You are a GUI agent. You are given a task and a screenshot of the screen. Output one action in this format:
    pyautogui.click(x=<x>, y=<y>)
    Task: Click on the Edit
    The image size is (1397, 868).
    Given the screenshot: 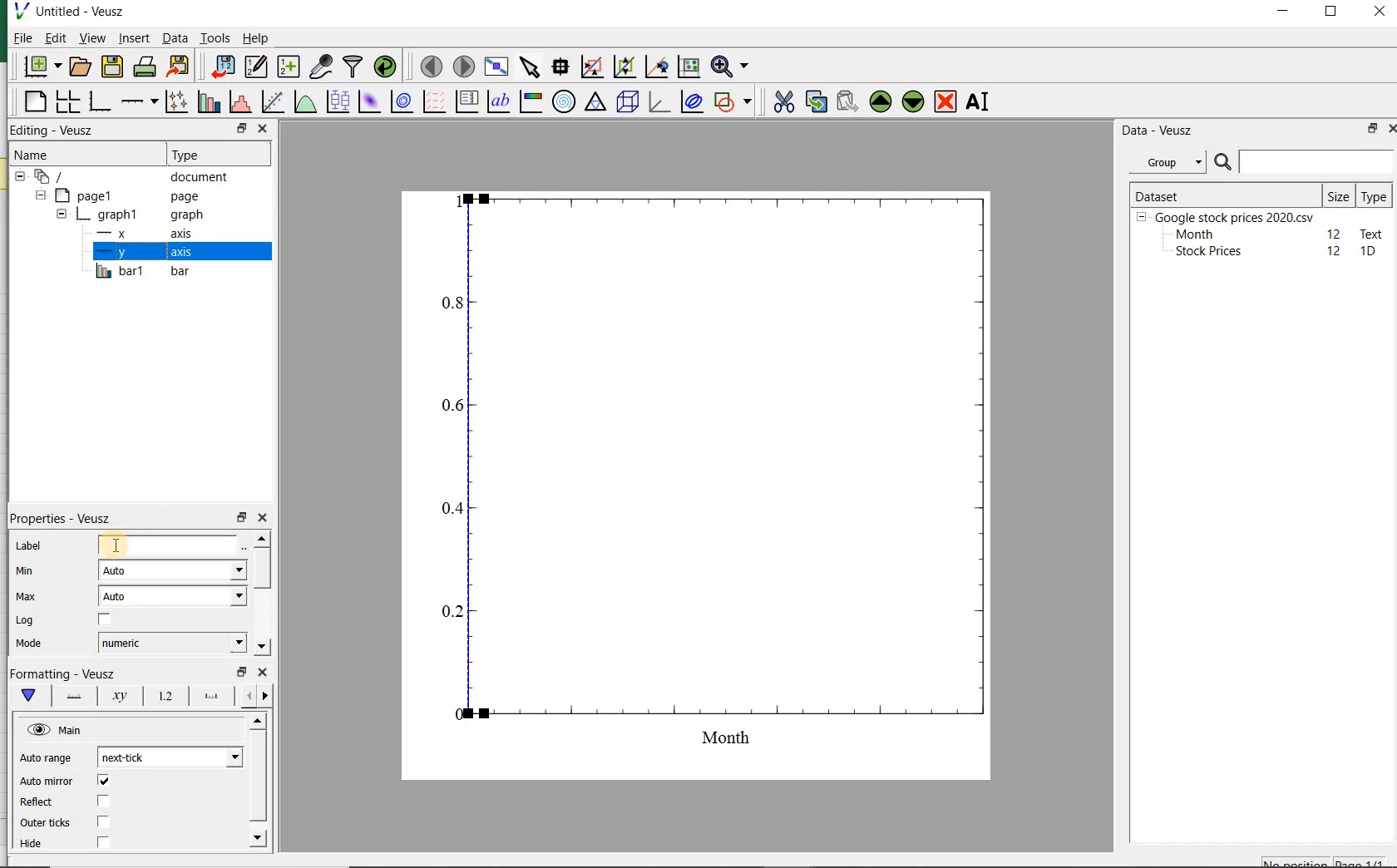 What is the action you would take?
    pyautogui.click(x=54, y=37)
    